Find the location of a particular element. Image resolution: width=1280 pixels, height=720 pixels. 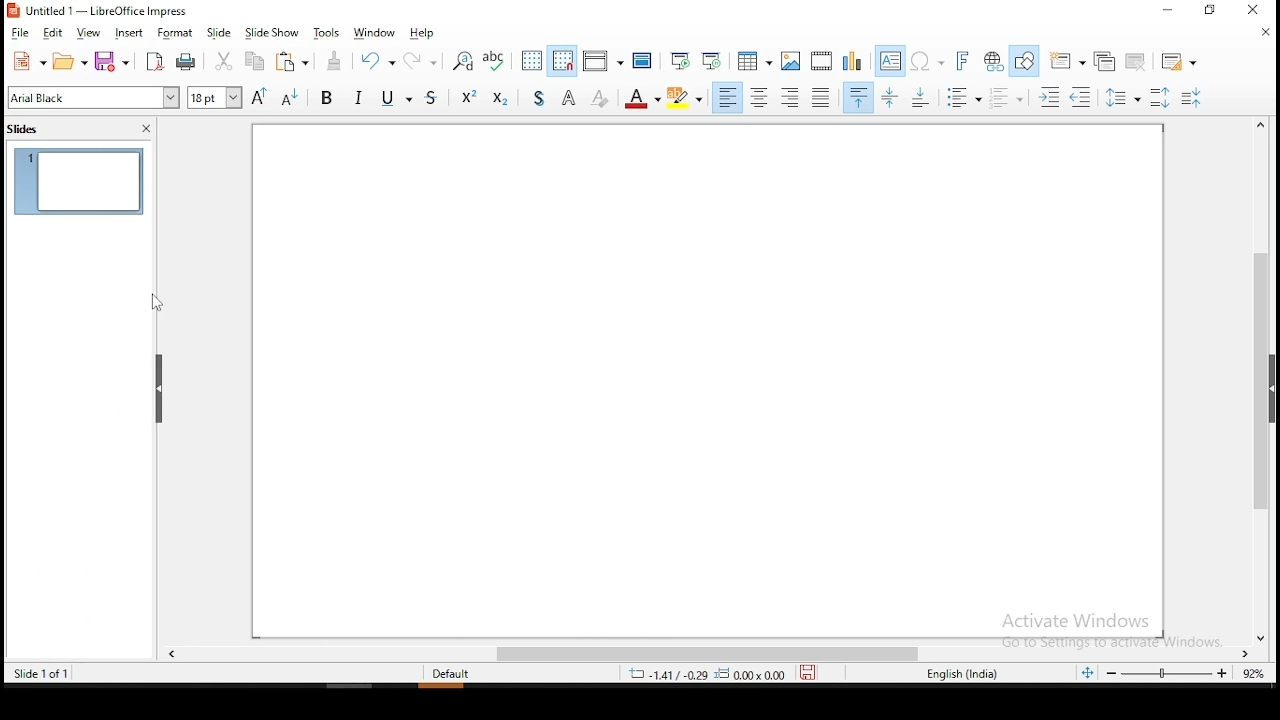

text box is located at coordinates (890, 59).